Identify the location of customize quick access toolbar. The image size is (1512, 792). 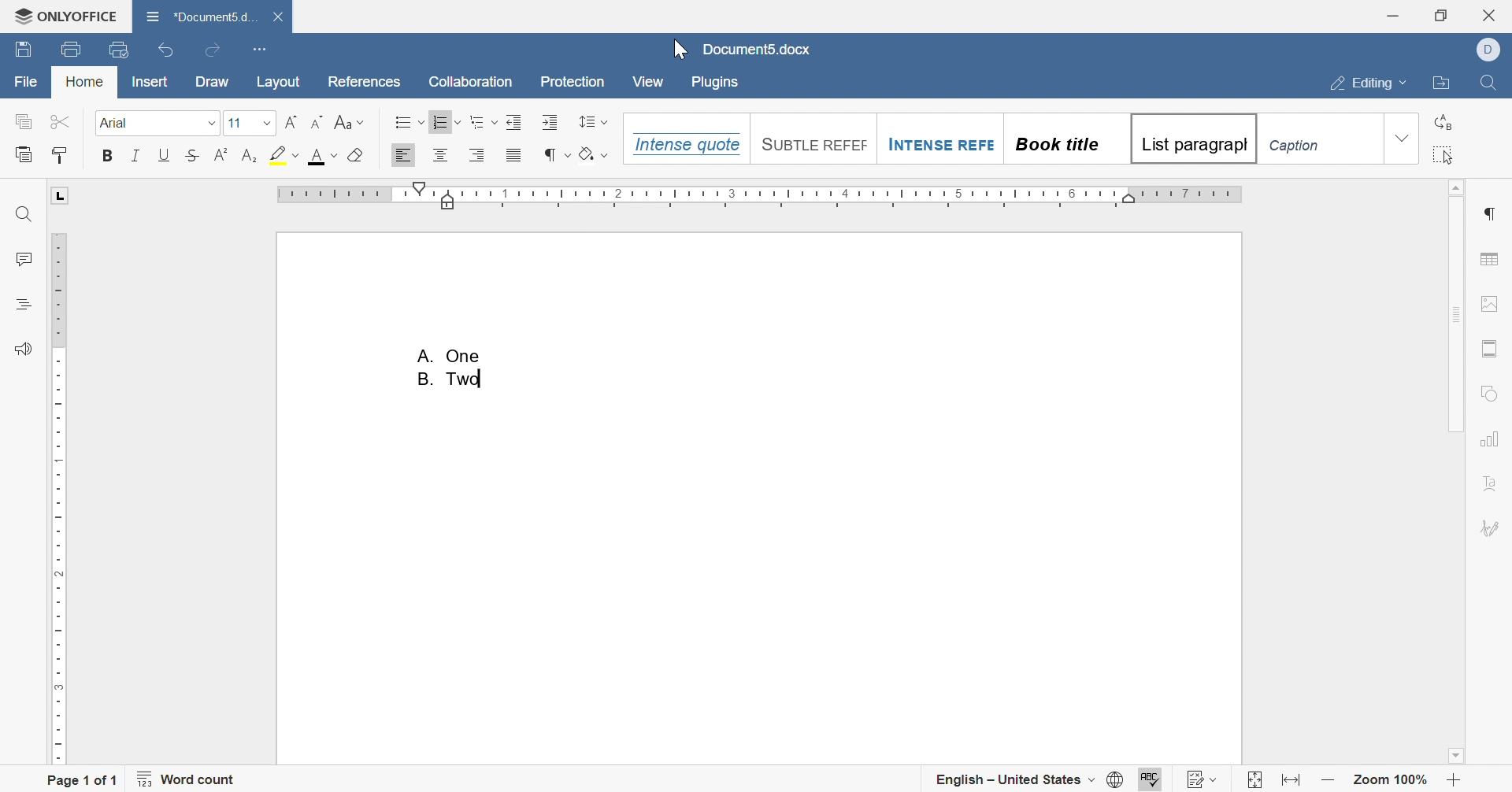
(261, 49).